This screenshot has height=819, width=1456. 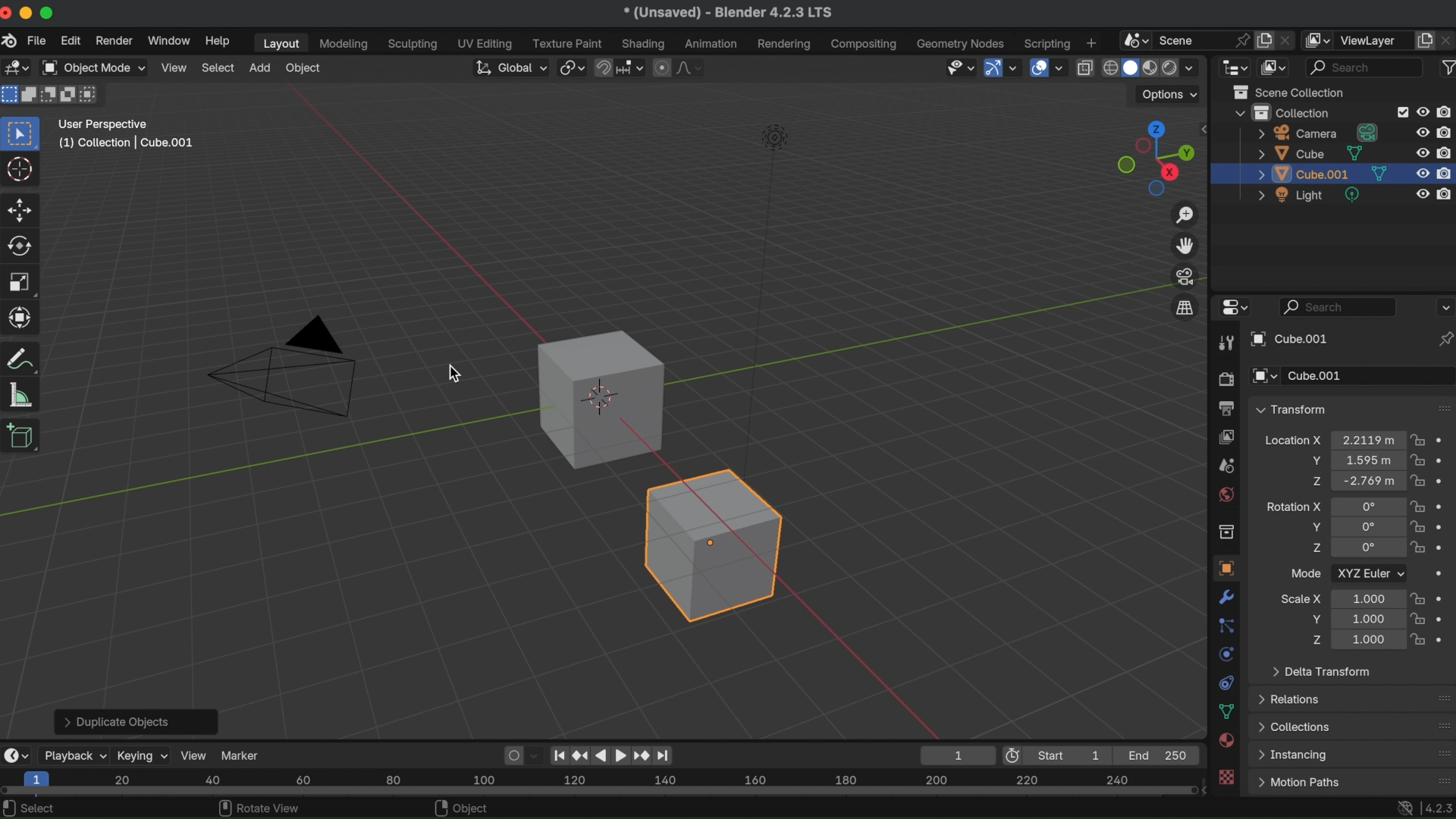 What do you see at coordinates (259, 808) in the screenshot?
I see `rotate view` at bounding box center [259, 808].